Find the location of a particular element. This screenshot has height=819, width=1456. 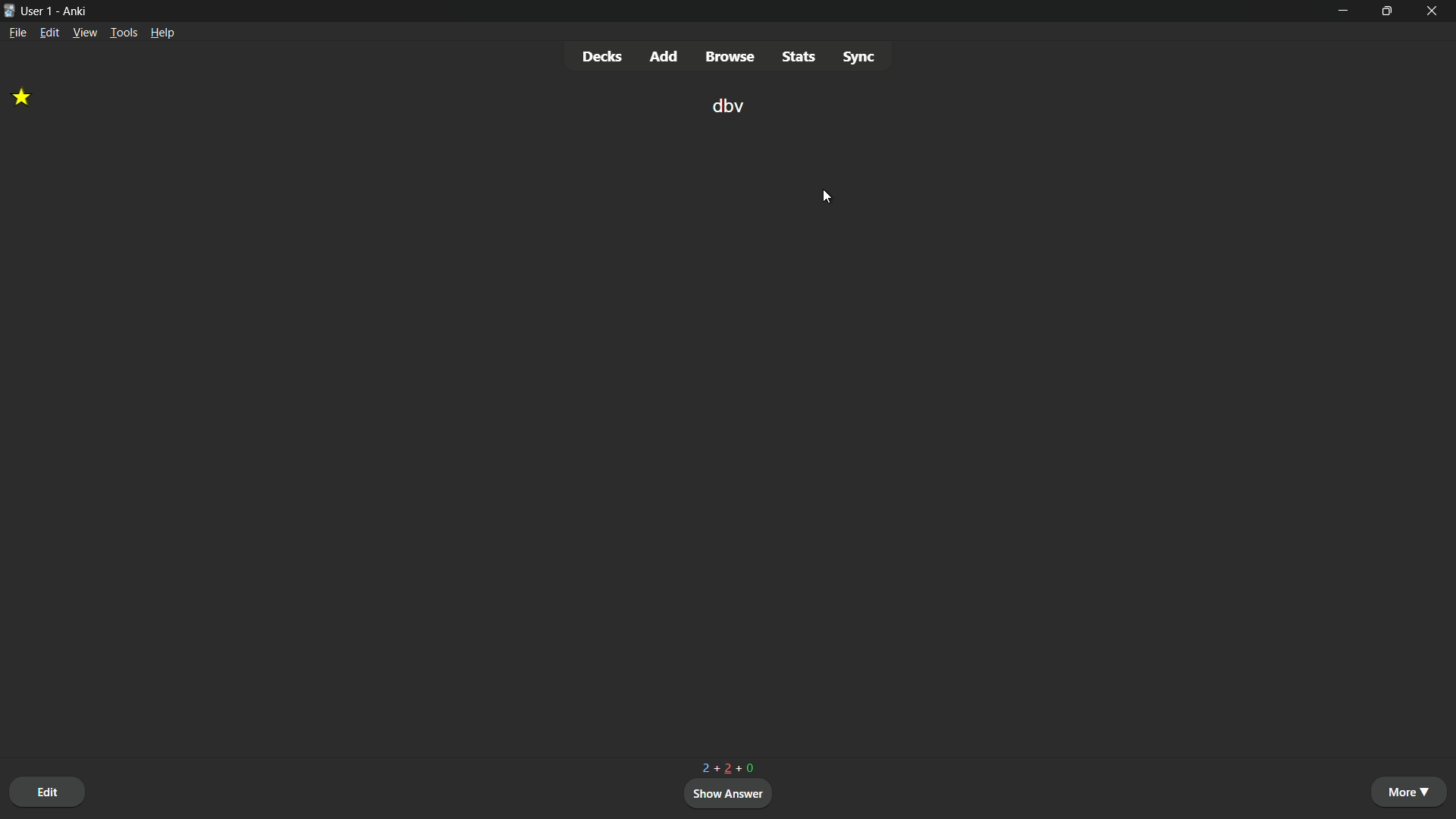

view is located at coordinates (84, 32).